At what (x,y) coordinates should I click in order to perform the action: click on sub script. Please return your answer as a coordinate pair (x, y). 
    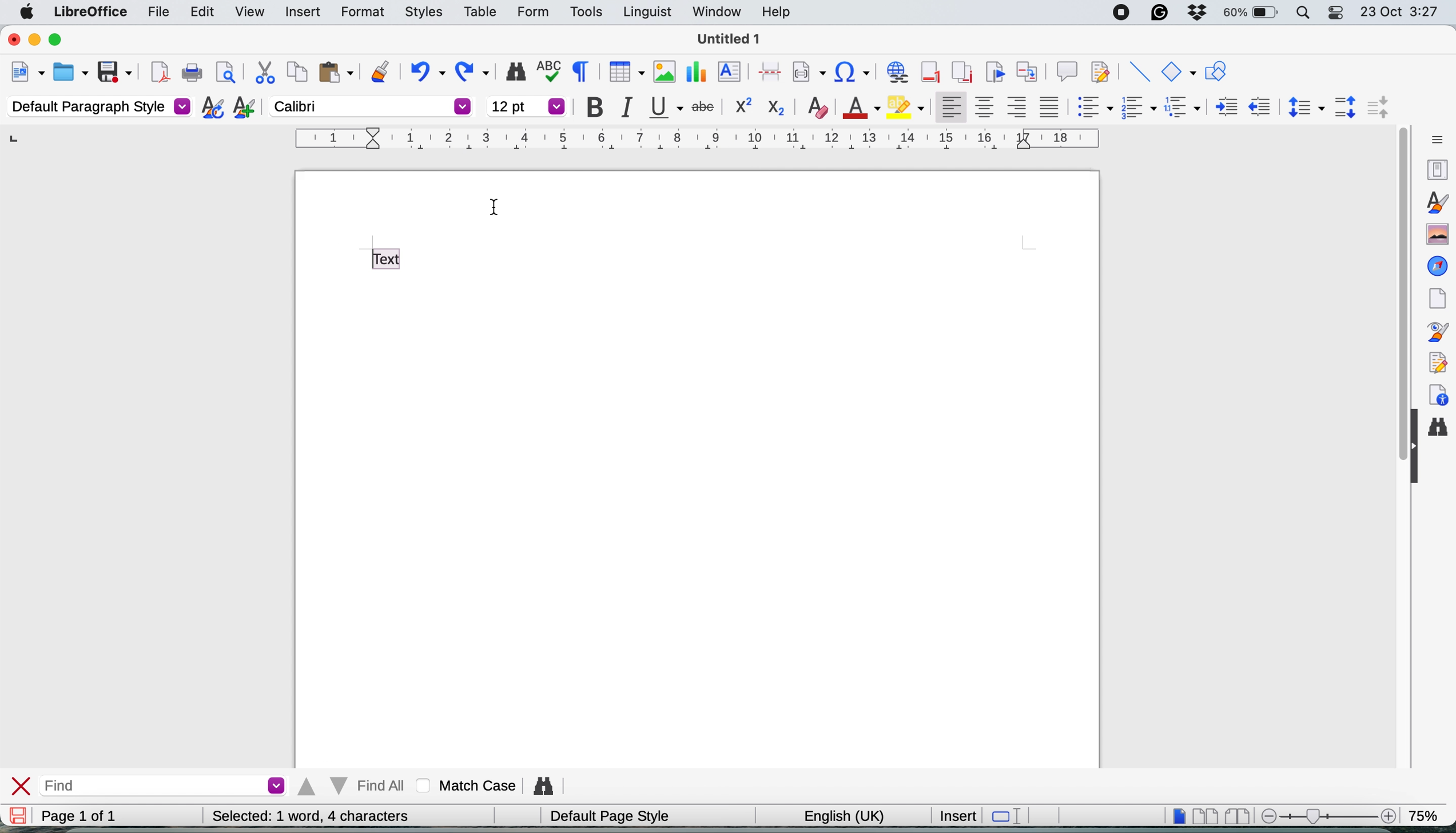
    Looking at the image, I should click on (778, 106).